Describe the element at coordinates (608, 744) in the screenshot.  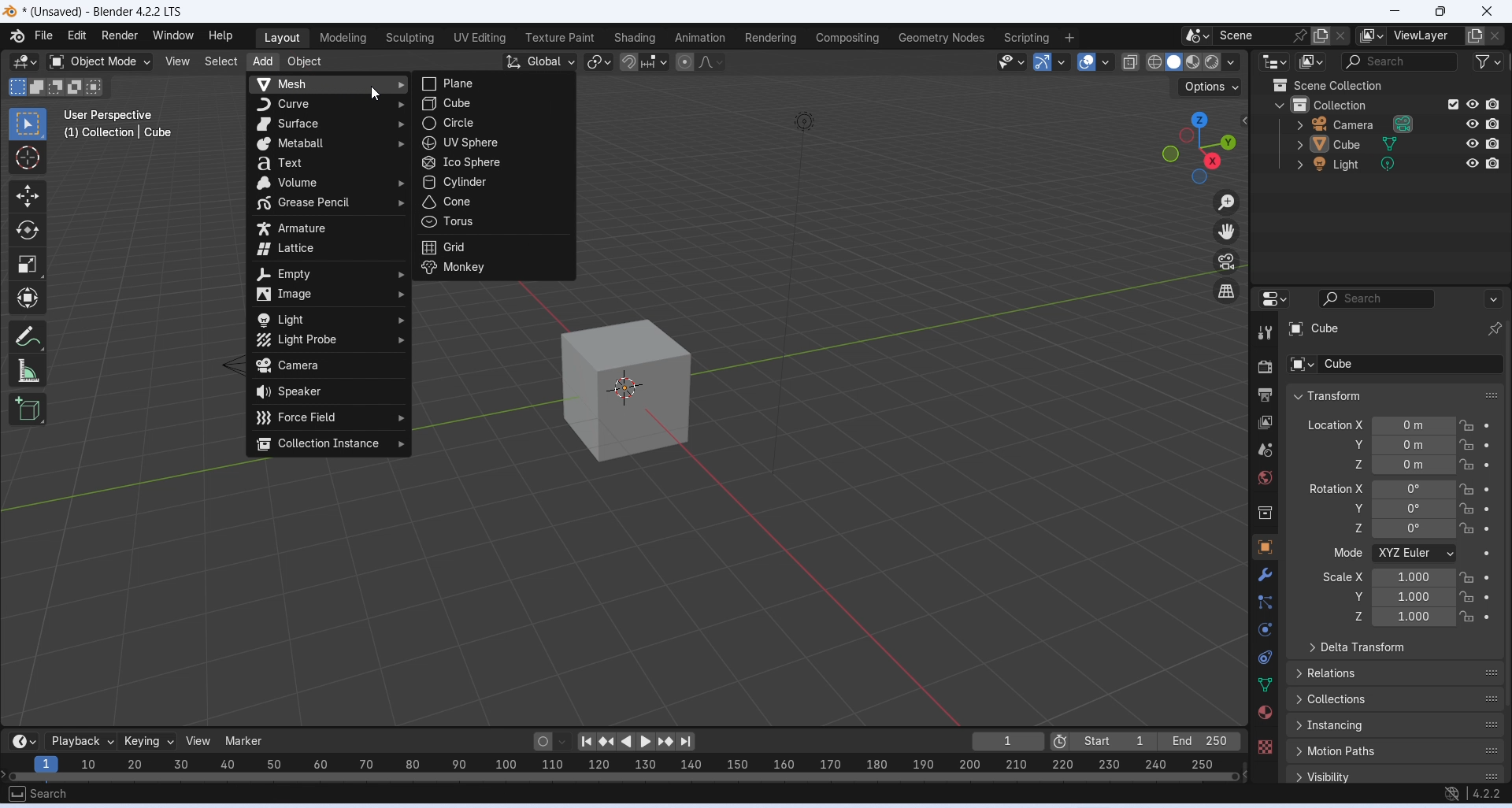
I see `jump to keyframe` at that location.